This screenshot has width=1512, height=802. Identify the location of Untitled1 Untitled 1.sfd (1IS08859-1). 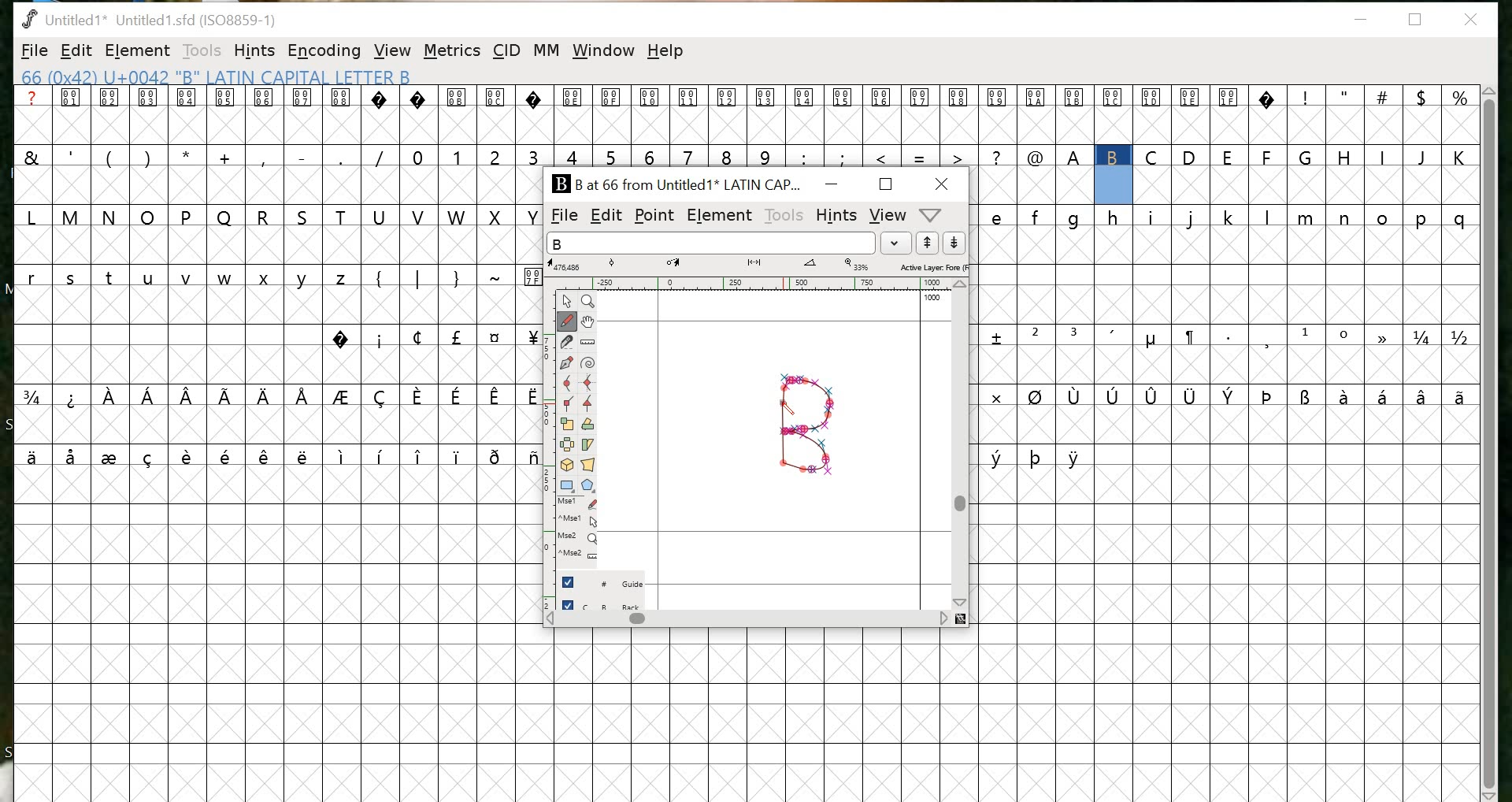
(145, 18).